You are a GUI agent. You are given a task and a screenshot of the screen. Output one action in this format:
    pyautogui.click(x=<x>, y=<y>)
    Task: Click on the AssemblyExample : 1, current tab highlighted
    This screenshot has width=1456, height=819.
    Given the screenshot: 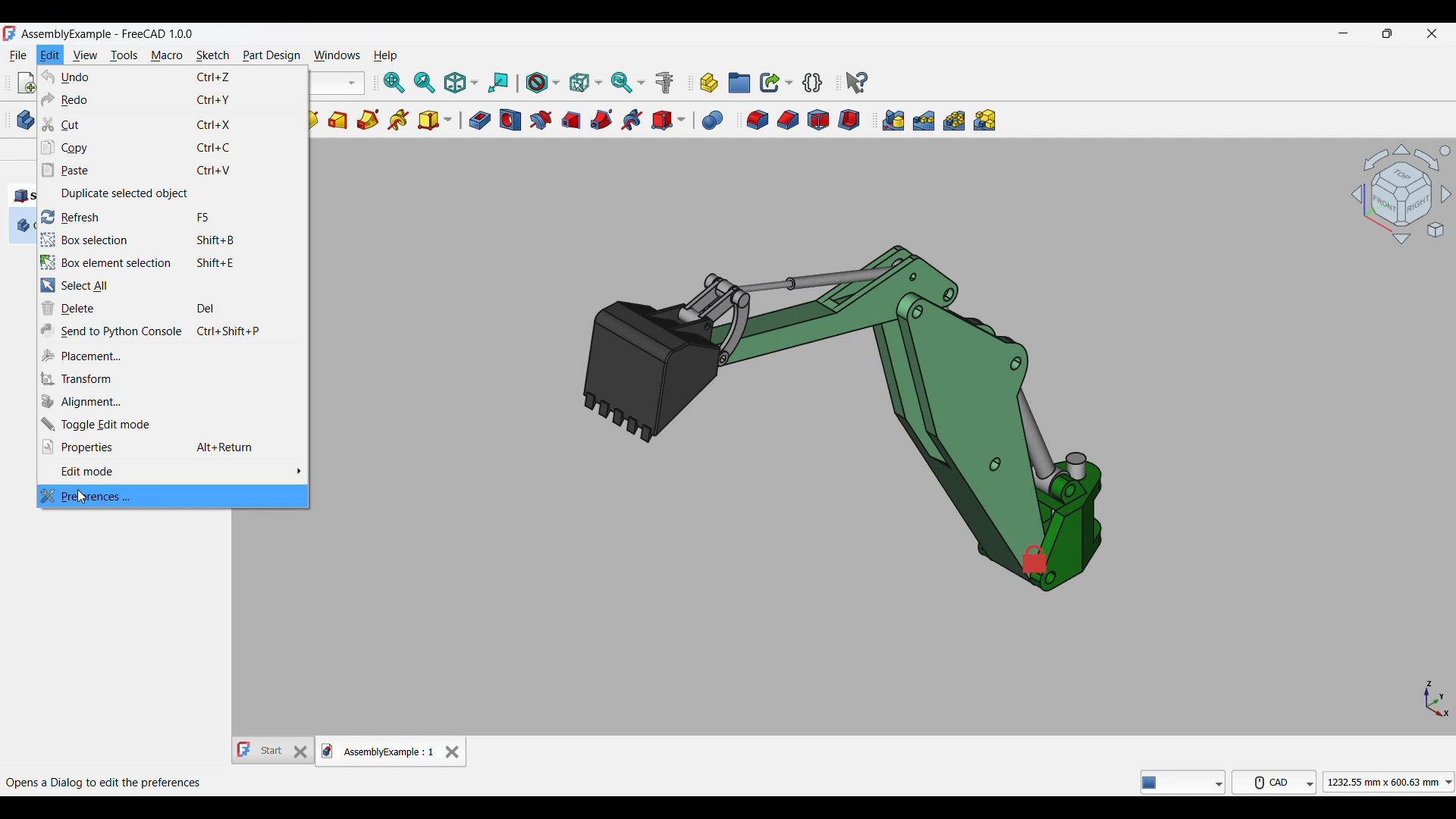 What is the action you would take?
    pyautogui.click(x=379, y=751)
    